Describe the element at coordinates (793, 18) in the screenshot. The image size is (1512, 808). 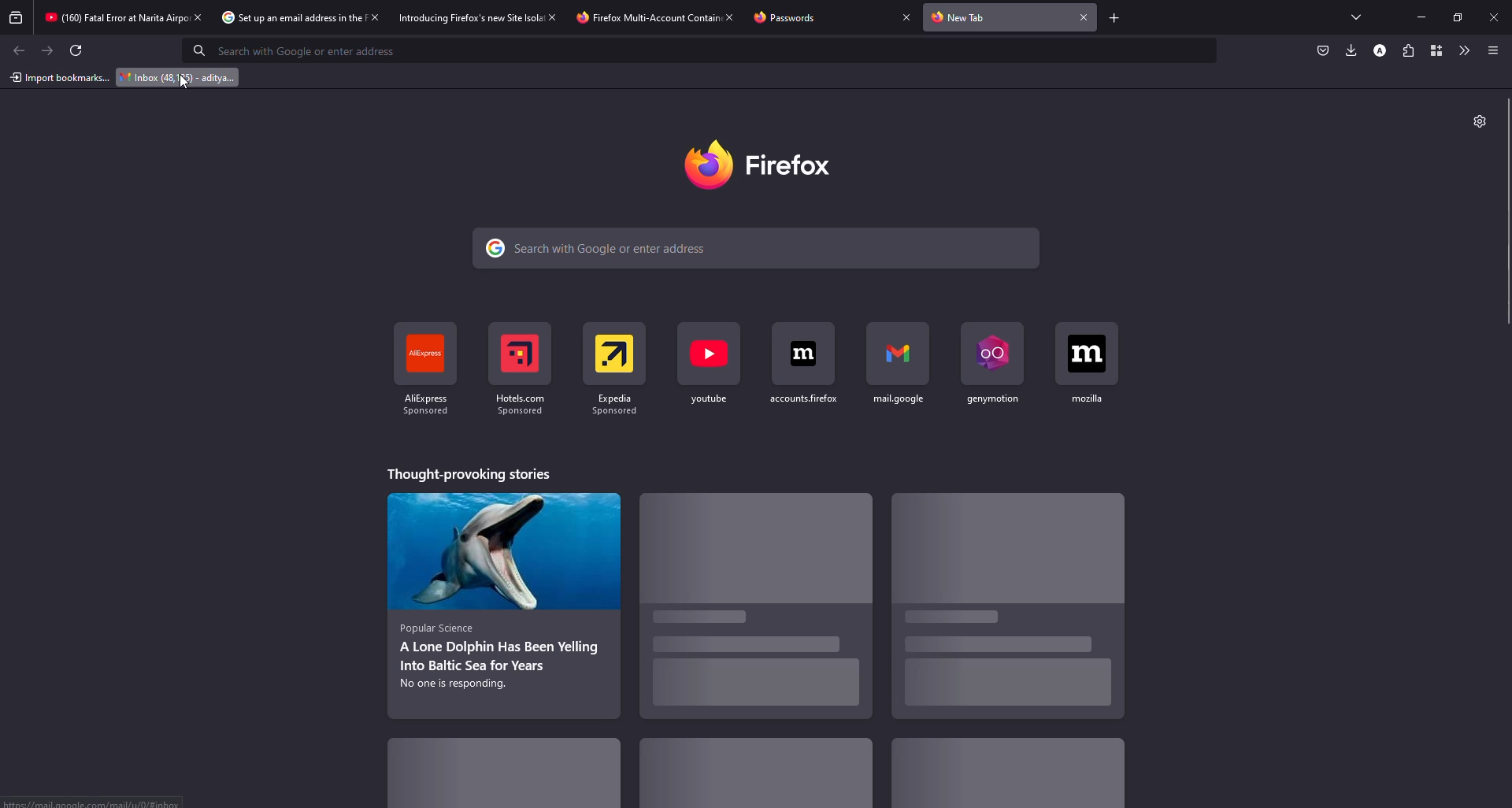
I see `Passwords` at that location.